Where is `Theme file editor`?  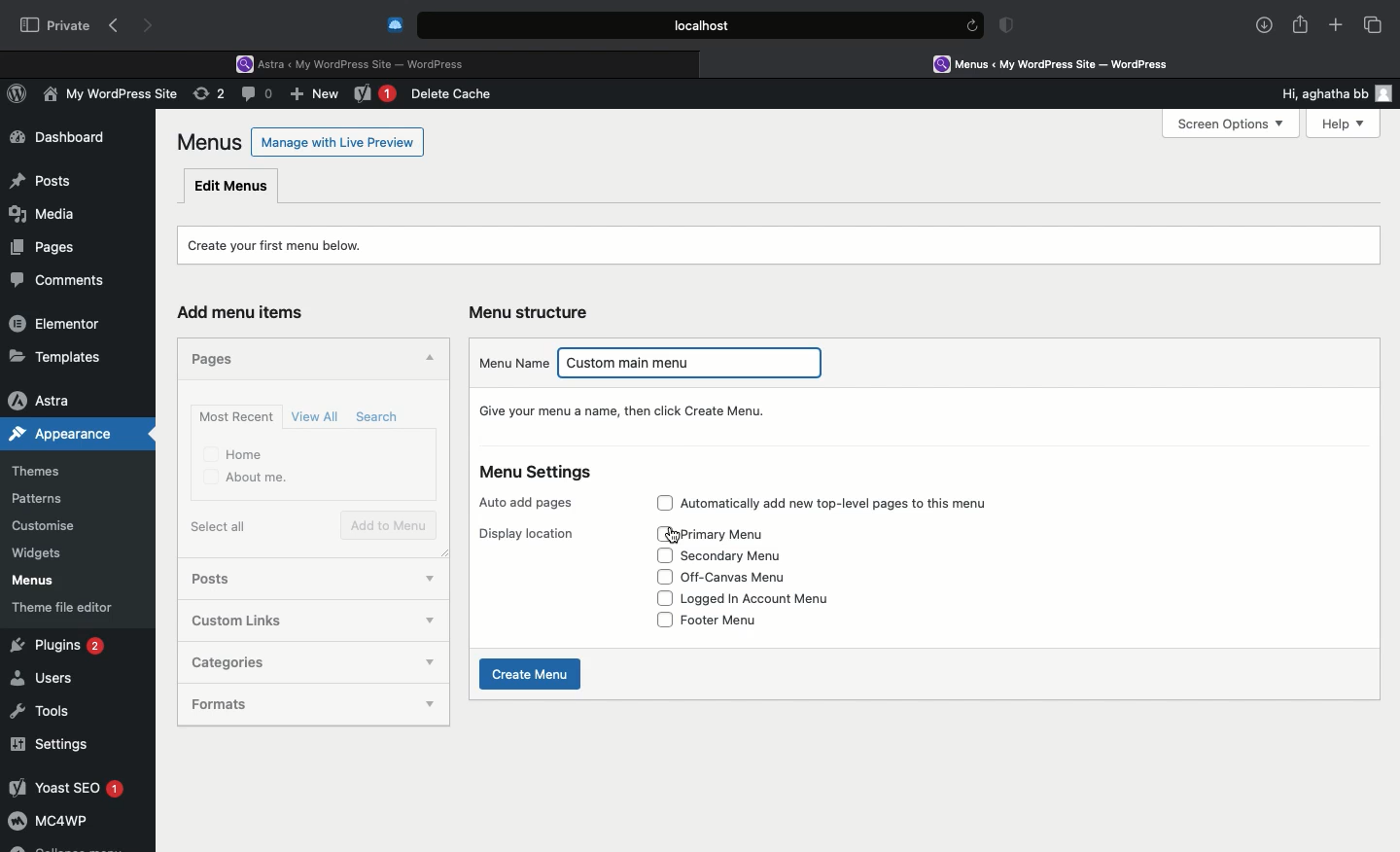 Theme file editor is located at coordinates (70, 607).